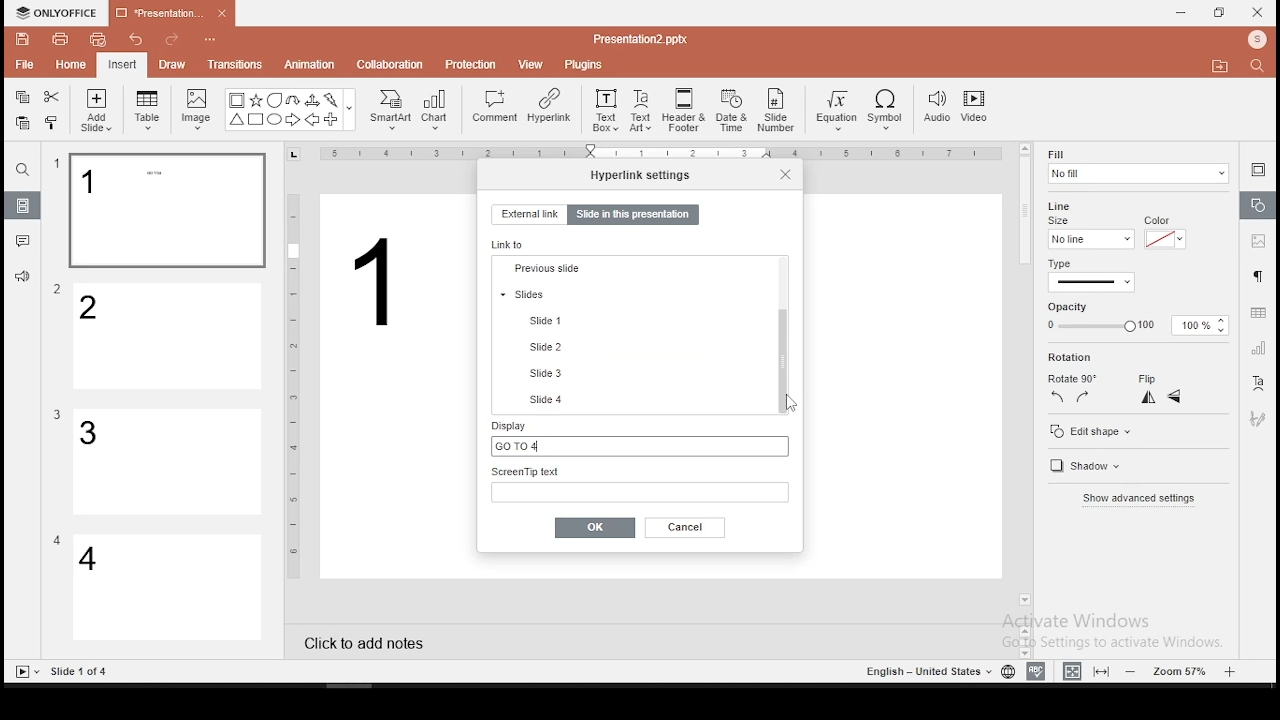 This screenshot has width=1280, height=720. What do you see at coordinates (777, 110) in the screenshot?
I see `slide number` at bounding box center [777, 110].